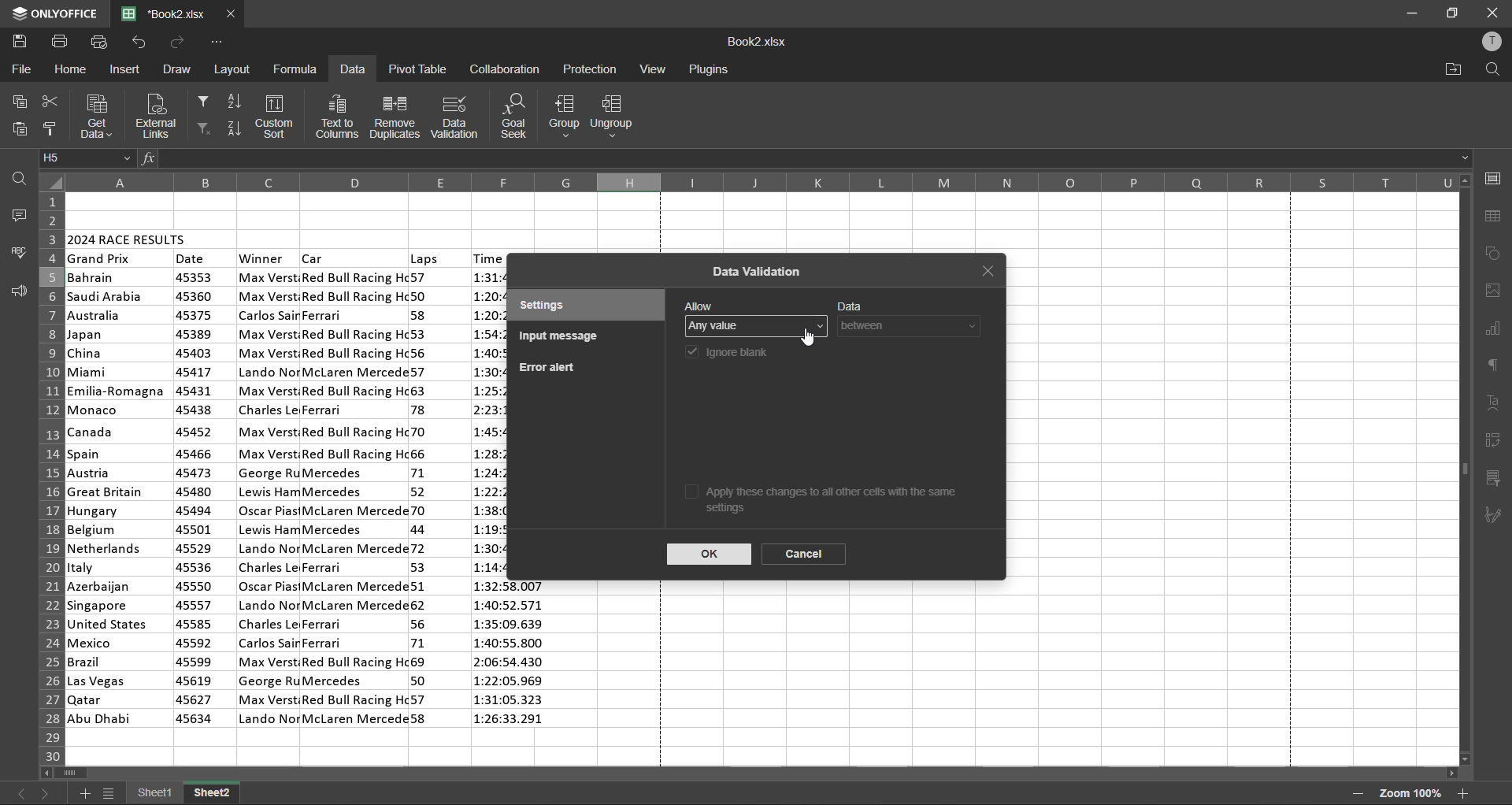 Image resolution: width=1512 pixels, height=805 pixels. What do you see at coordinates (513, 657) in the screenshot?
I see `time` at bounding box center [513, 657].